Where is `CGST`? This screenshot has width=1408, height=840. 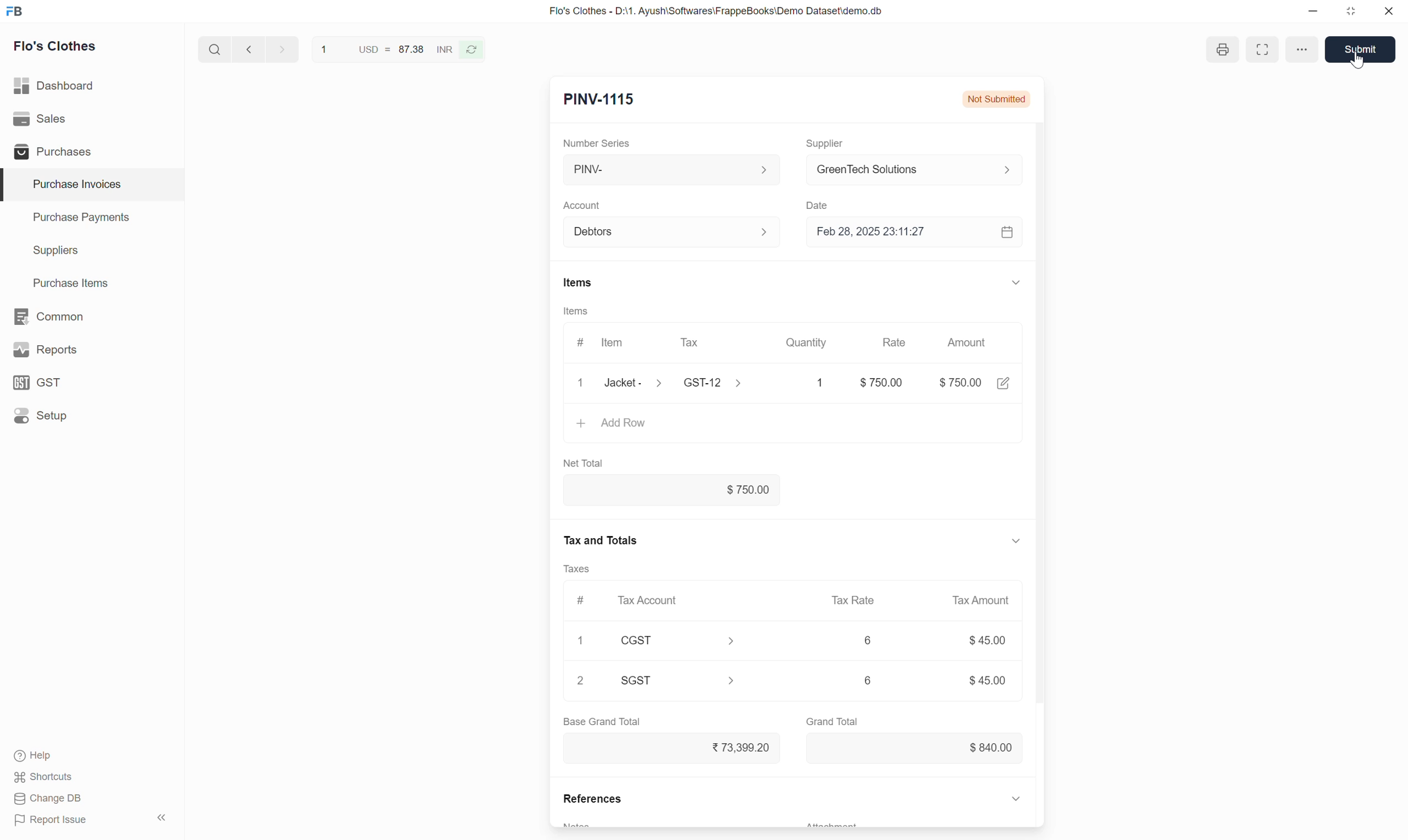
CGST is located at coordinates (678, 640).